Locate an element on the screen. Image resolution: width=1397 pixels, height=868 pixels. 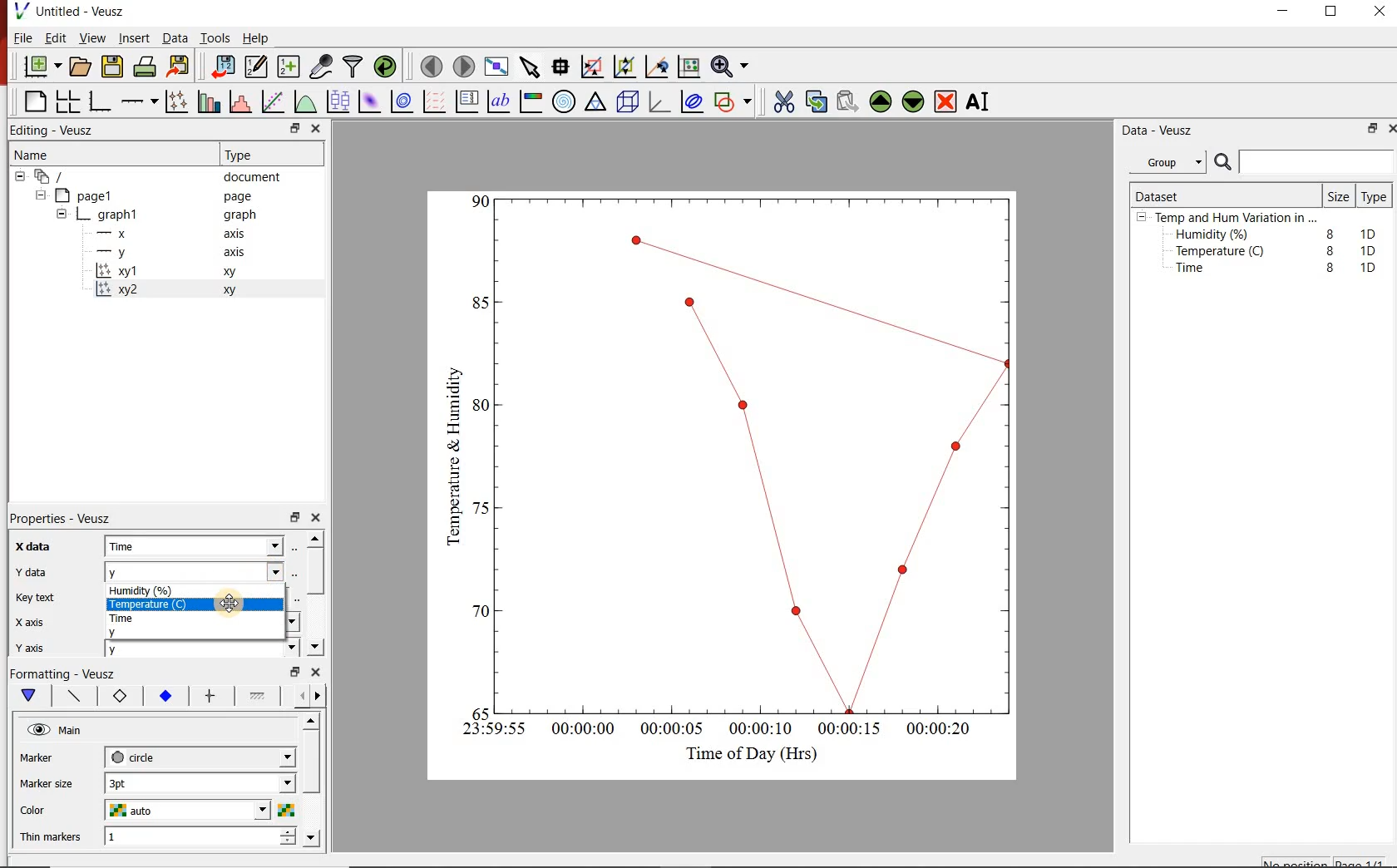
polar graph is located at coordinates (565, 103).